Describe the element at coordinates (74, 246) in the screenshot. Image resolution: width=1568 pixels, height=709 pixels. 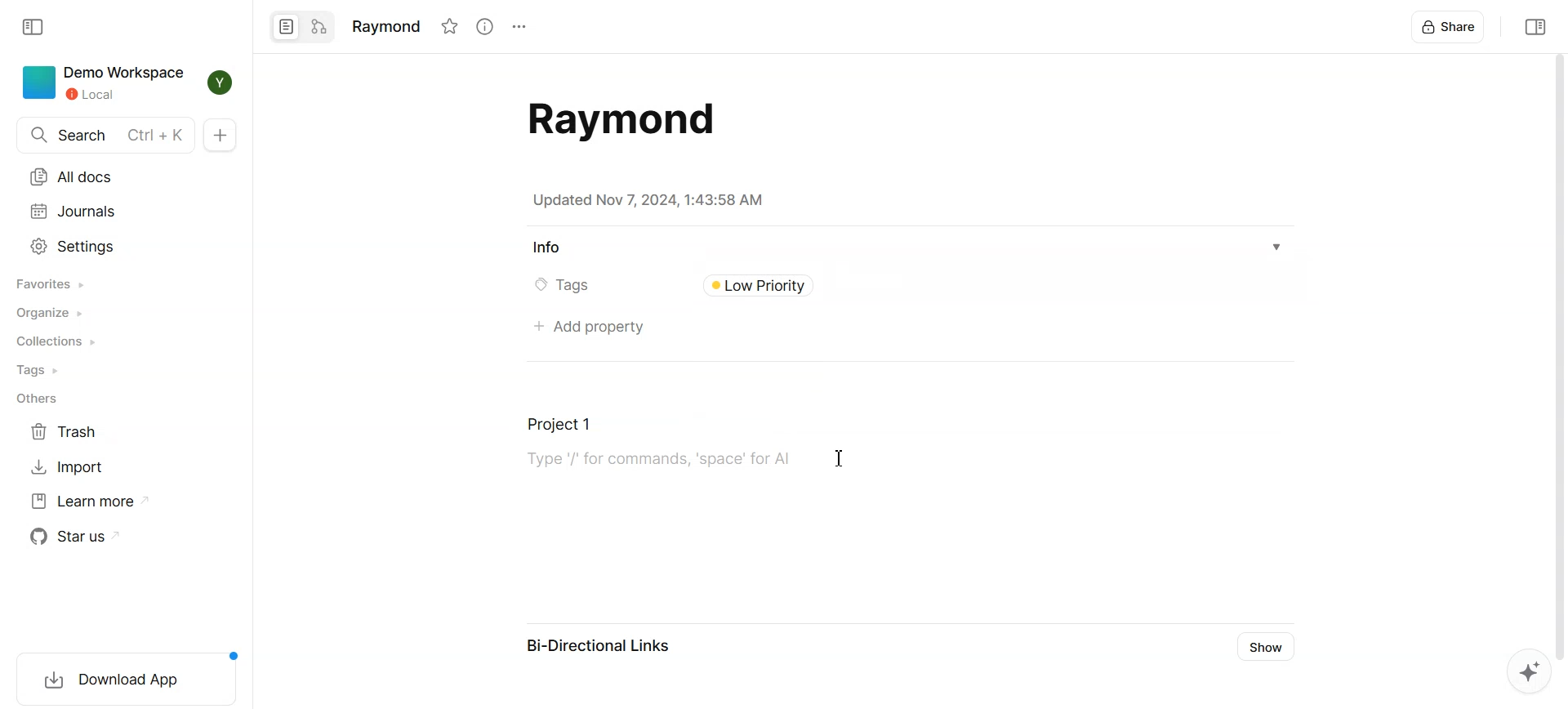
I see `Settings` at that location.